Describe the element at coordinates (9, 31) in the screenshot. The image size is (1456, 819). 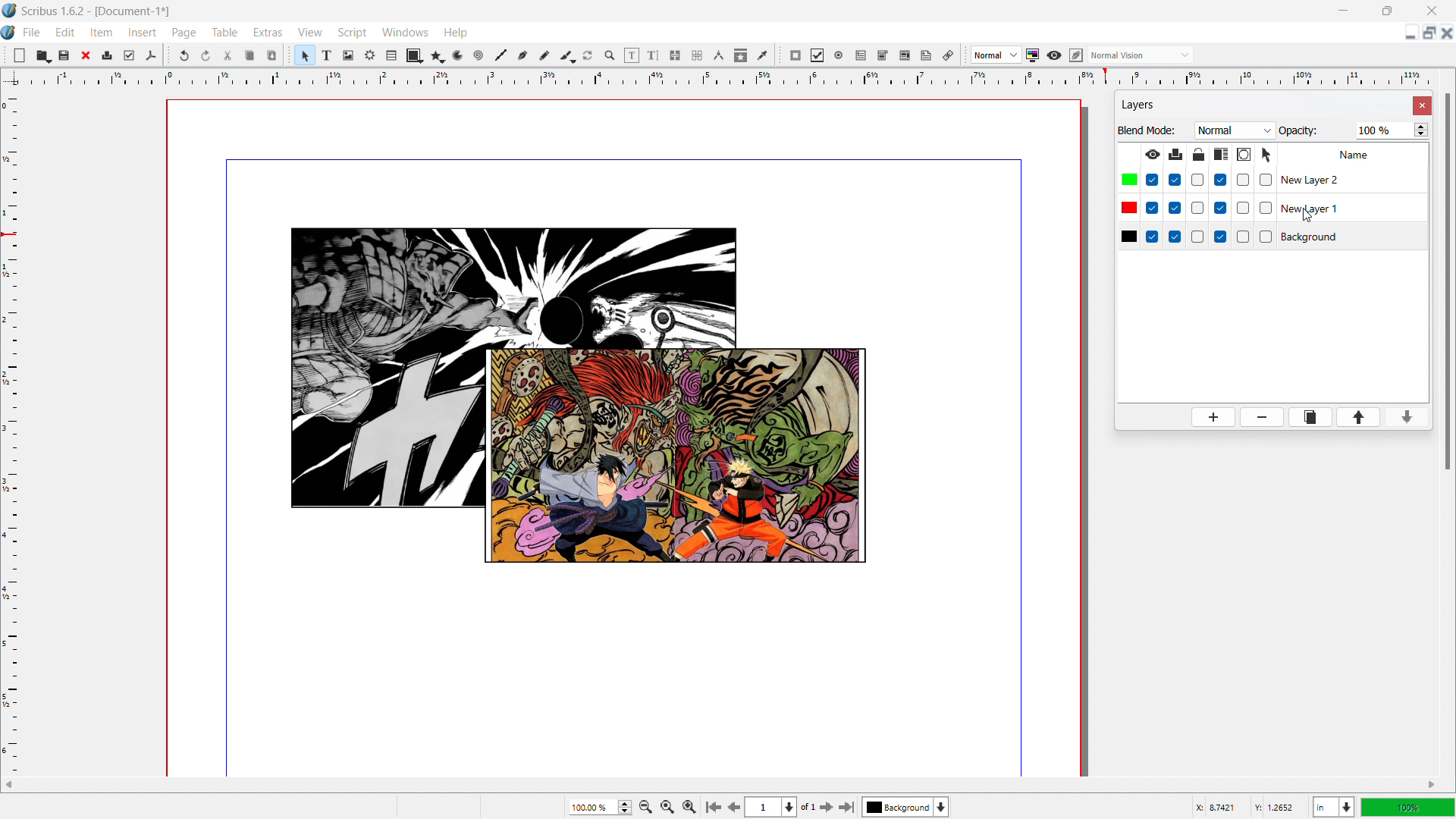
I see `logo` at that location.